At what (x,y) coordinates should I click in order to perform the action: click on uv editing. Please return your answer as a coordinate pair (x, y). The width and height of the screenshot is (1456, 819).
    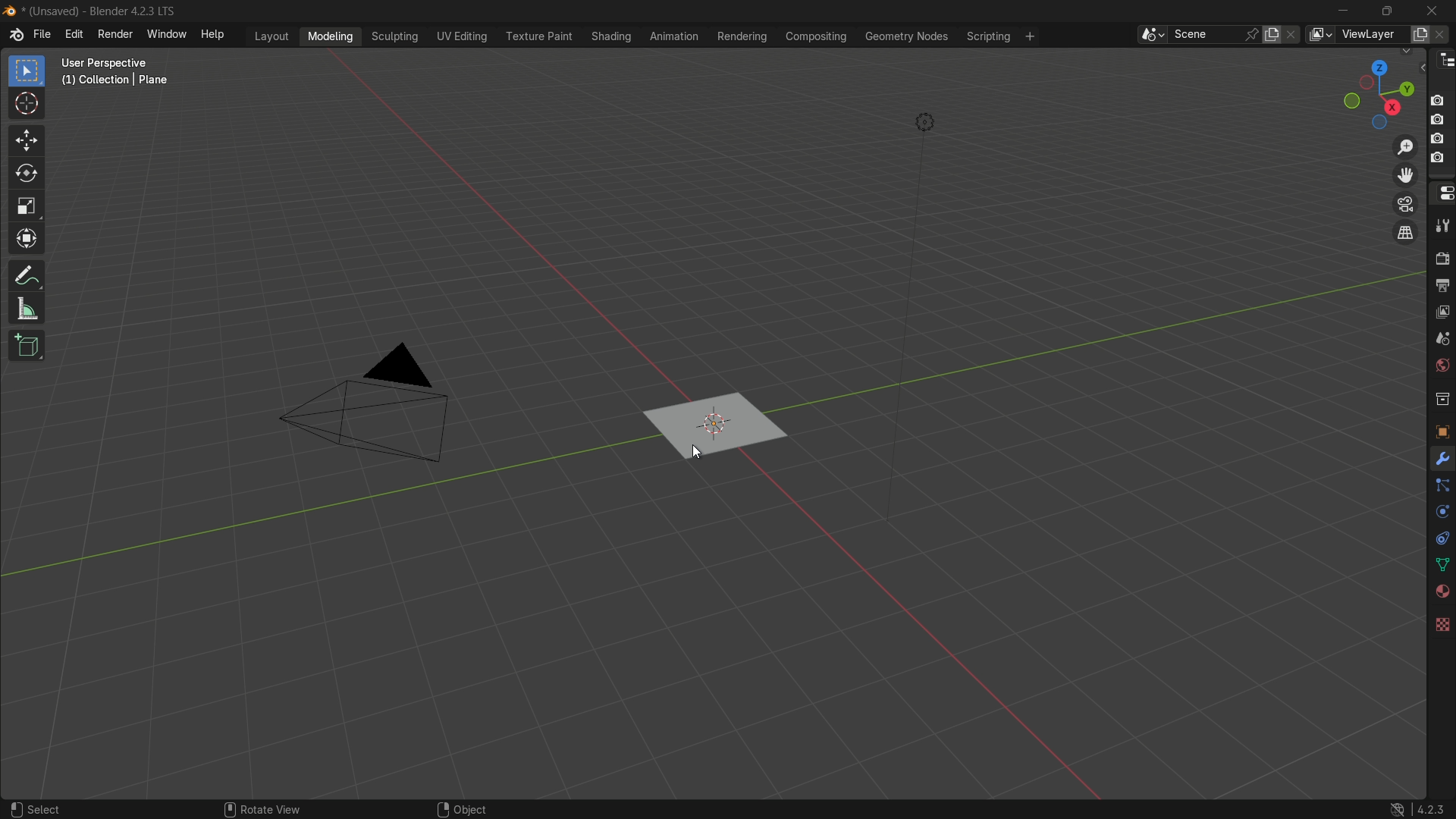
    Looking at the image, I should click on (463, 37).